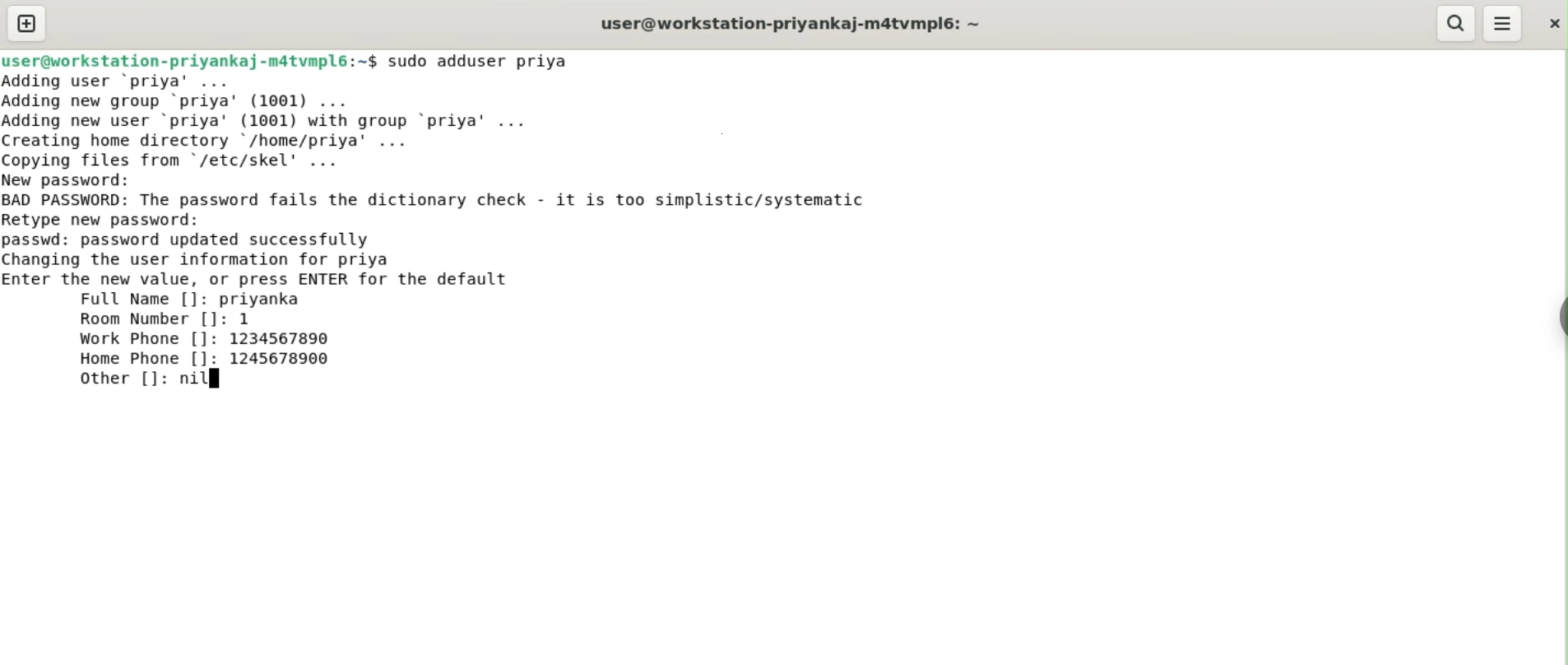  What do you see at coordinates (251, 319) in the screenshot?
I see `1` at bounding box center [251, 319].